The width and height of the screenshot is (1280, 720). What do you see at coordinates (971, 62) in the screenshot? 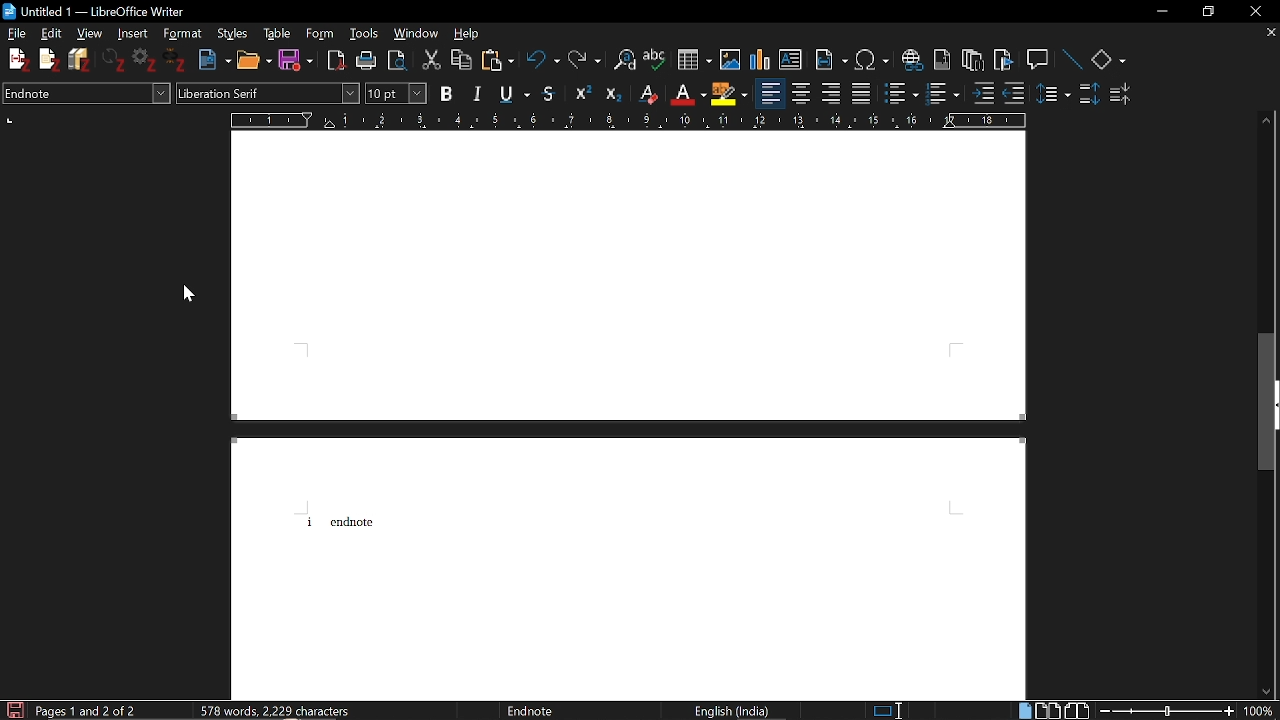
I see `Insert endnote` at bounding box center [971, 62].